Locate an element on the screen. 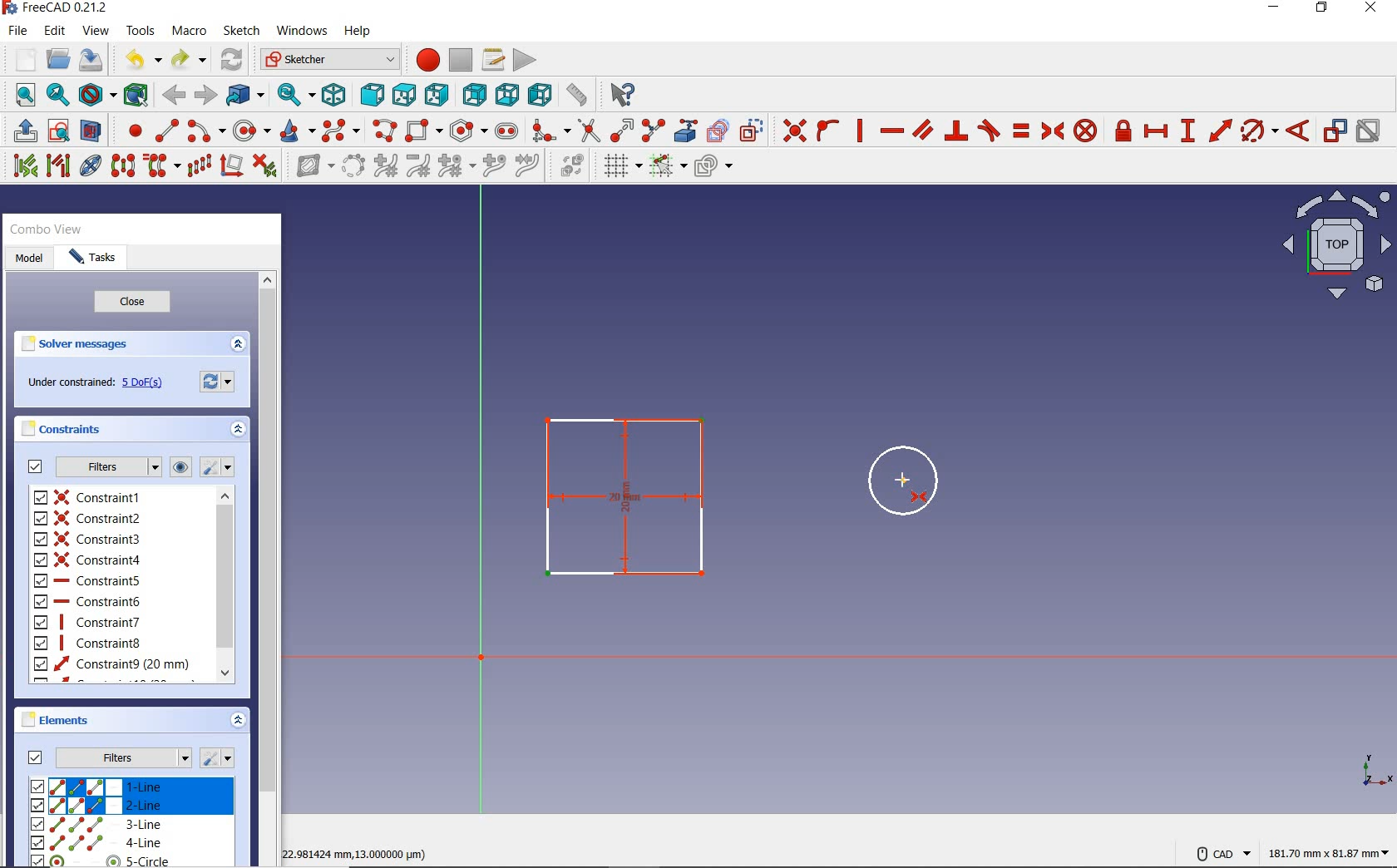  stop macro recording is located at coordinates (462, 59).